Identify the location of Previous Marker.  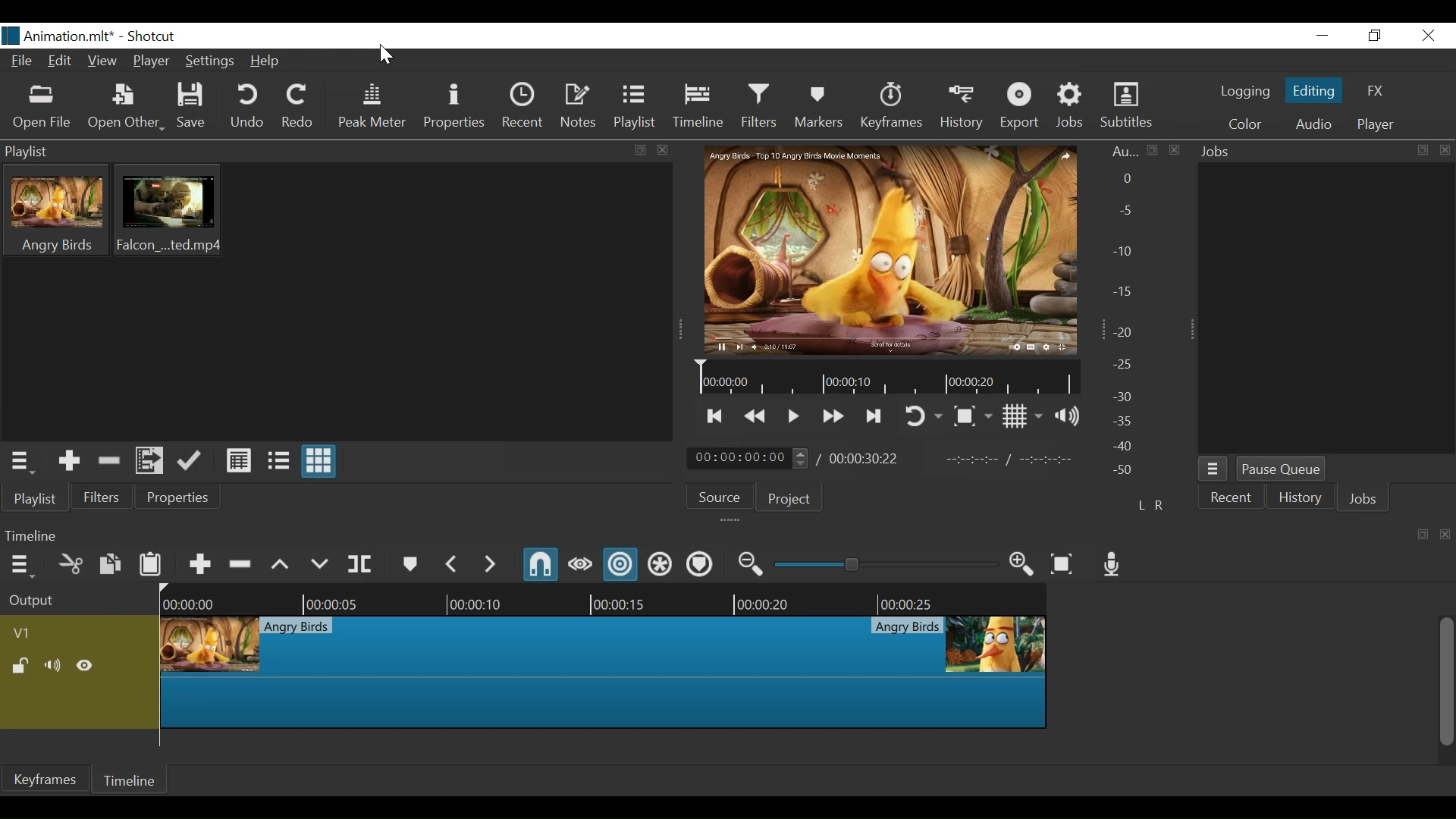
(451, 563).